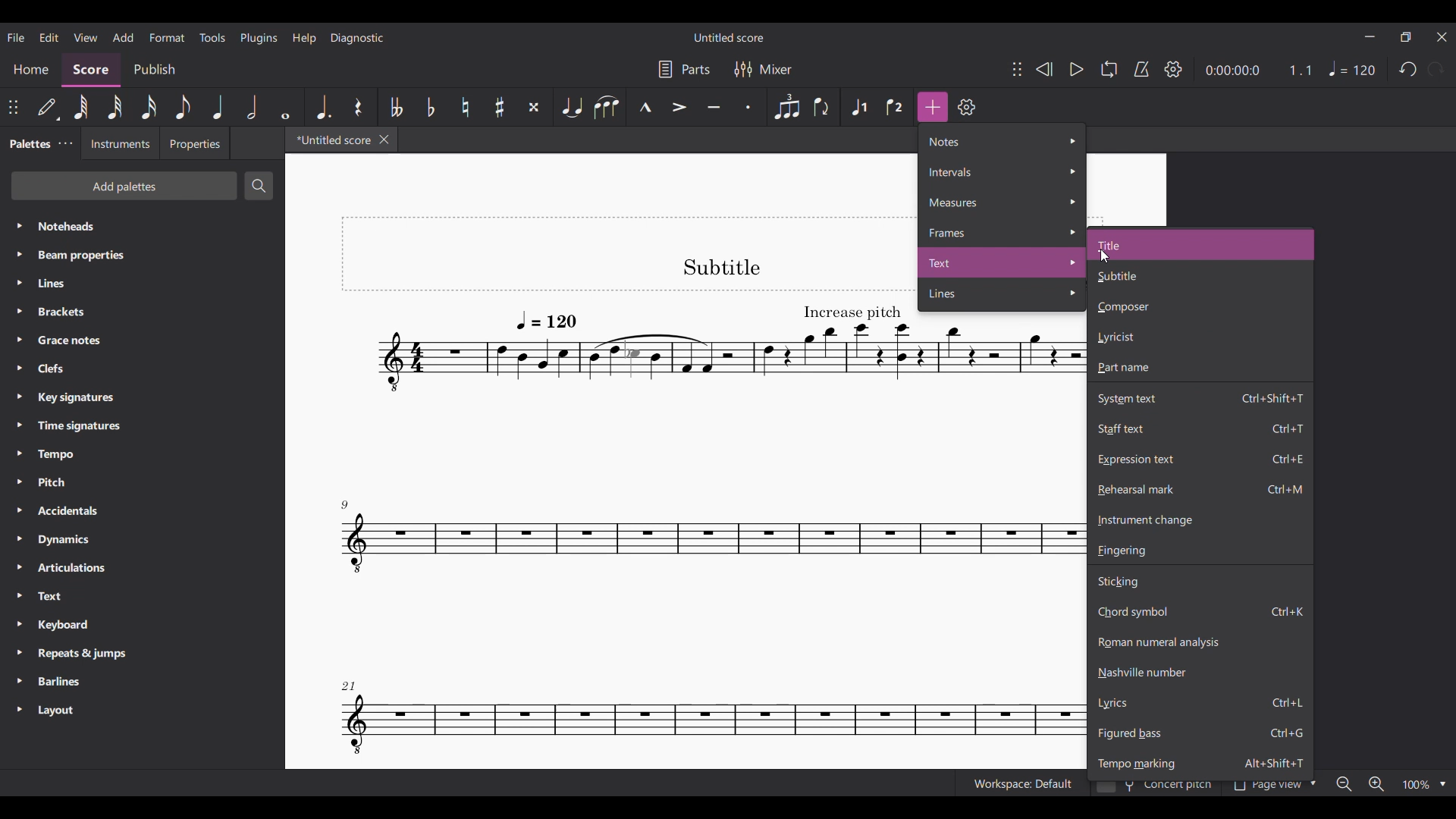 The height and width of the screenshot is (819, 1456). What do you see at coordinates (1200, 428) in the screenshot?
I see `Staff text` at bounding box center [1200, 428].